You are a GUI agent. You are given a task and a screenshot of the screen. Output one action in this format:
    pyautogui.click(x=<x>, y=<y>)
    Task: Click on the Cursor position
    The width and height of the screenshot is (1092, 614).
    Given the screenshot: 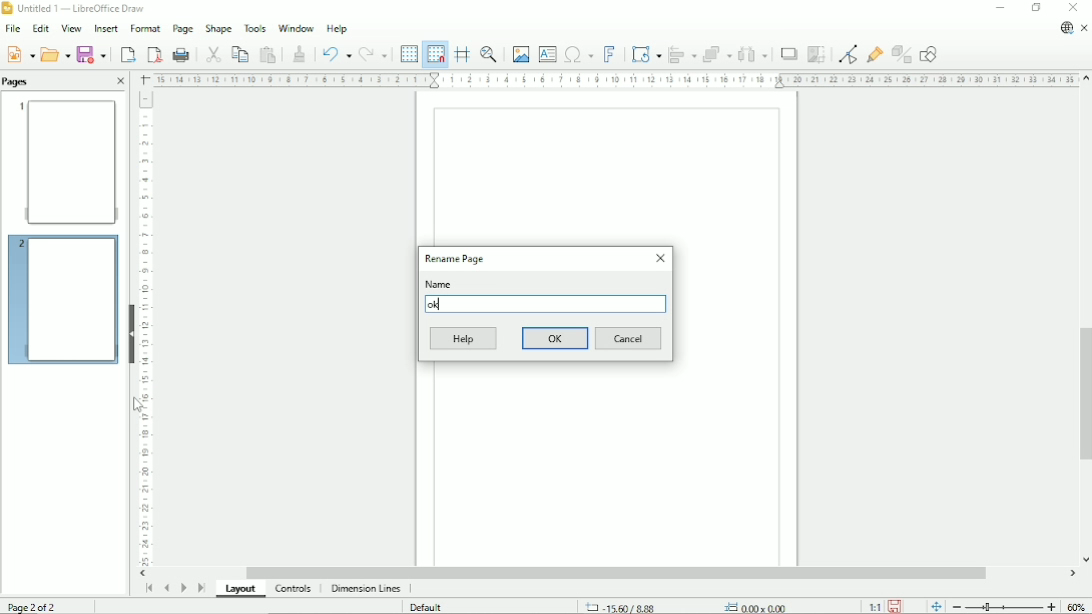 What is the action you would take?
    pyautogui.click(x=690, y=606)
    